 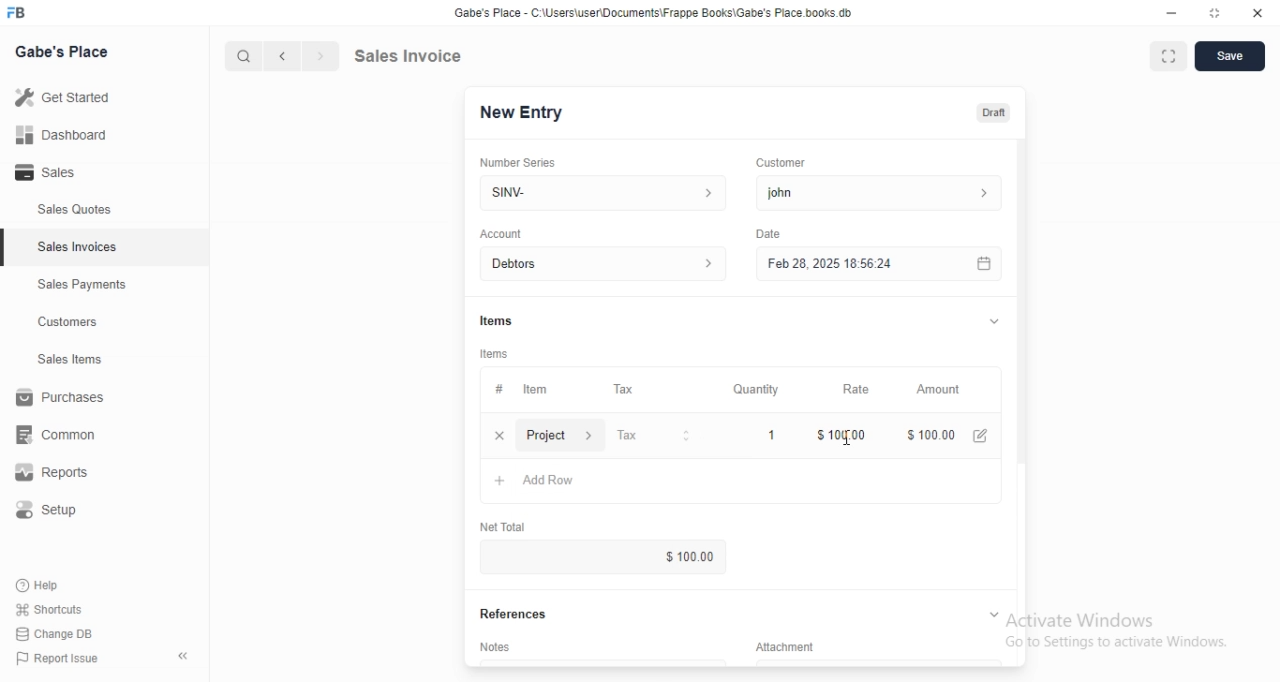 What do you see at coordinates (501, 233) in the screenshot?
I see `‘Account` at bounding box center [501, 233].